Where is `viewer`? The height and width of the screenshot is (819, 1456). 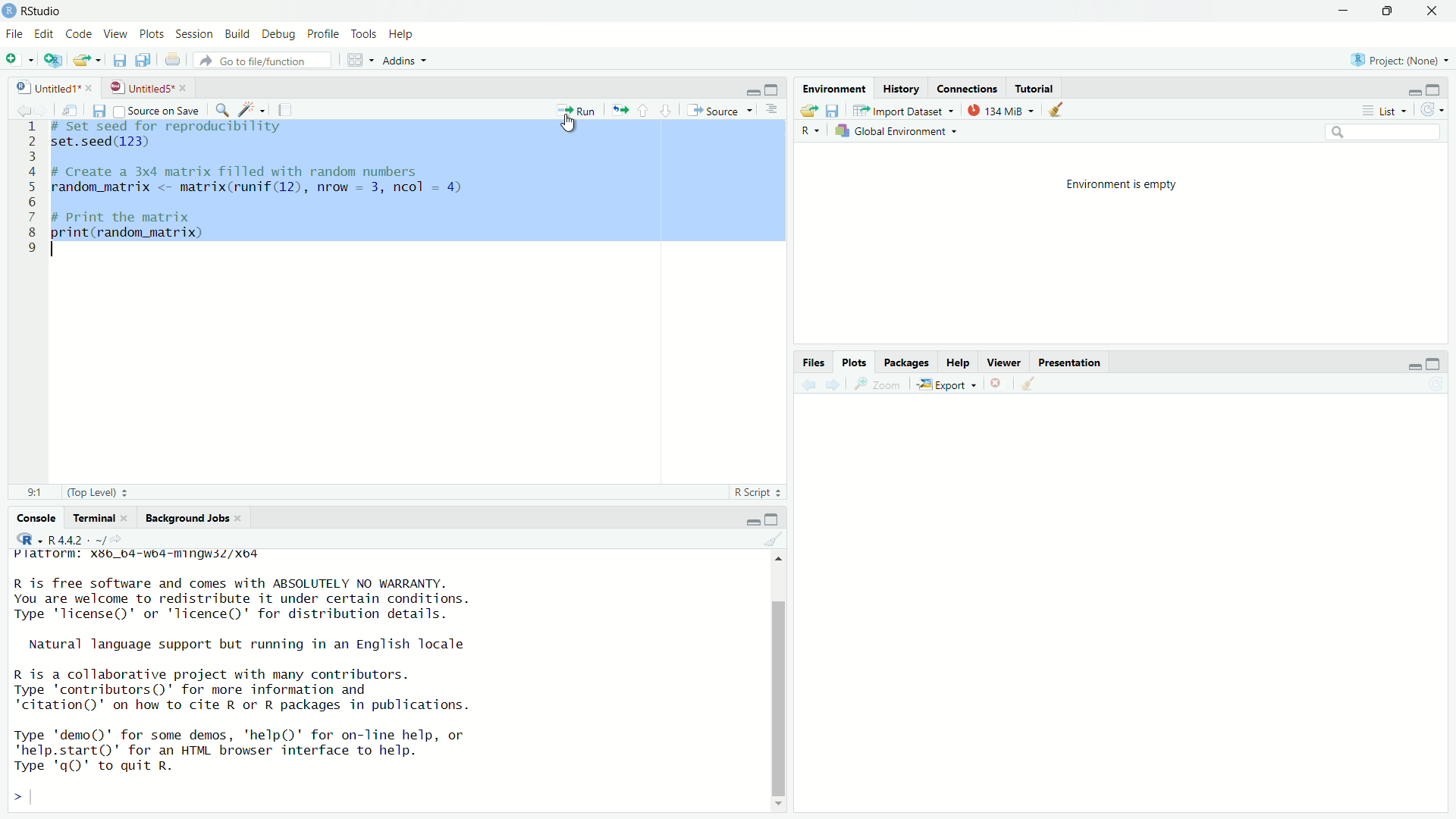 viewer is located at coordinates (1003, 361).